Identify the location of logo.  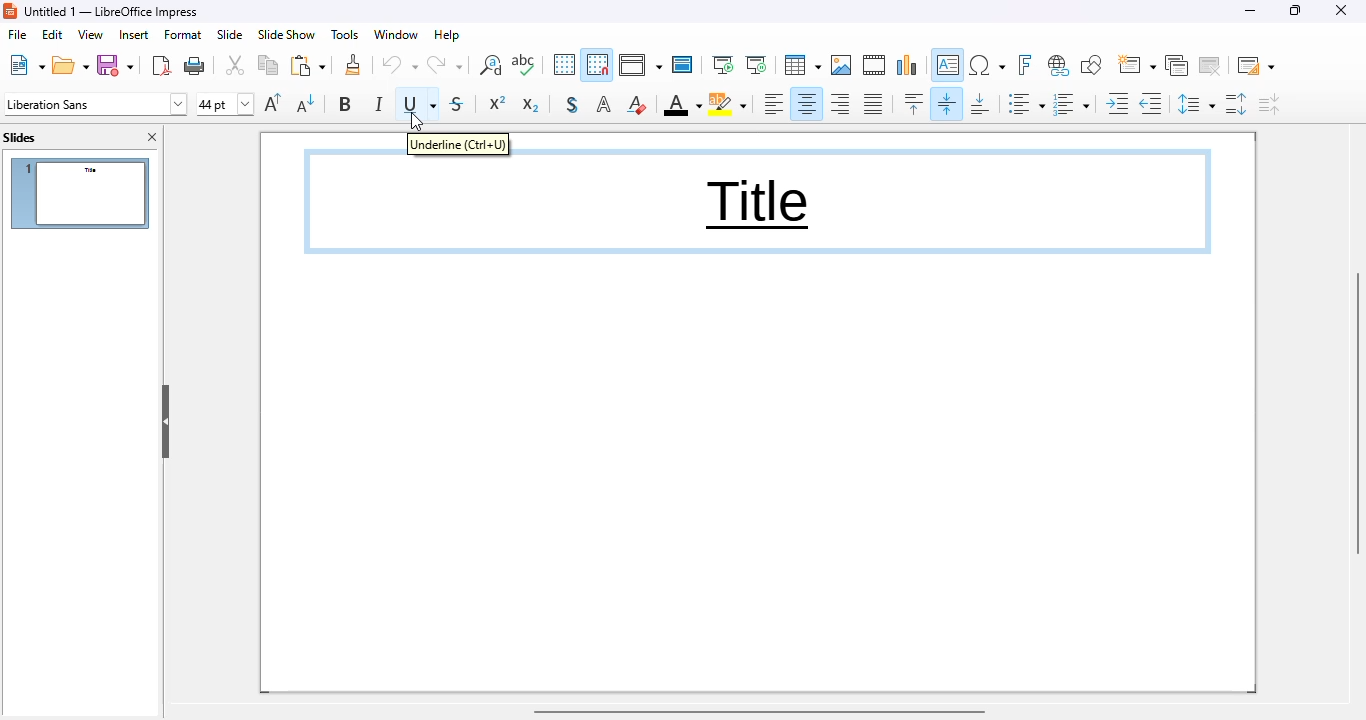
(10, 11).